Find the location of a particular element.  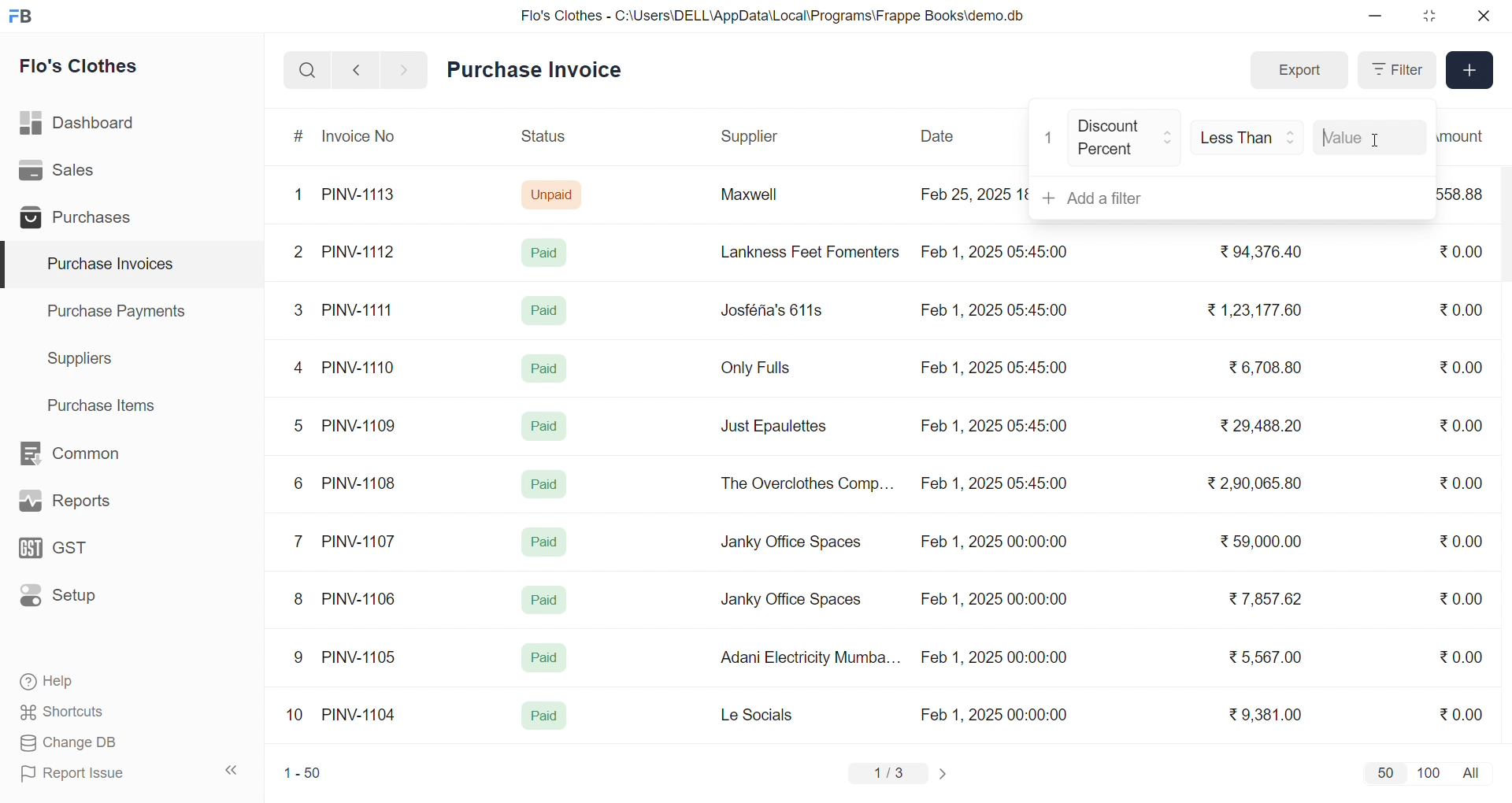

PINV-1110 is located at coordinates (360, 367).